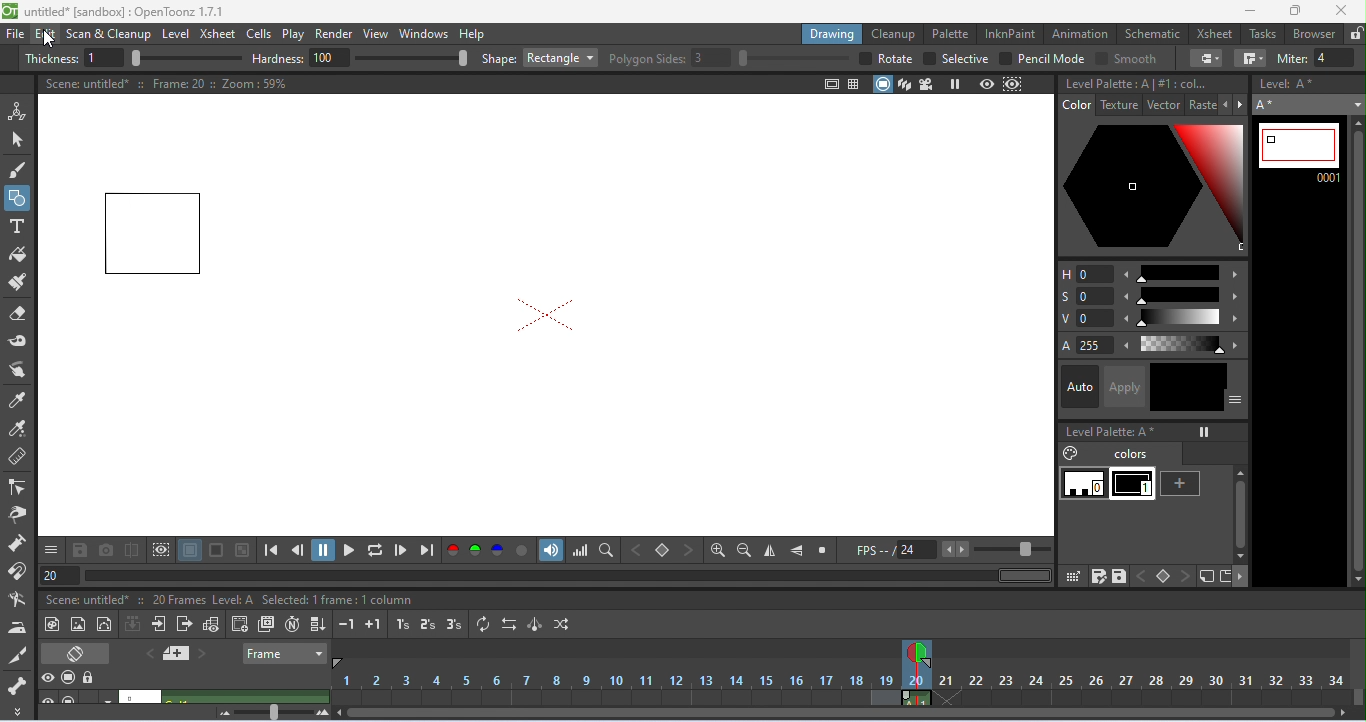  I want to click on zoom out, so click(744, 551).